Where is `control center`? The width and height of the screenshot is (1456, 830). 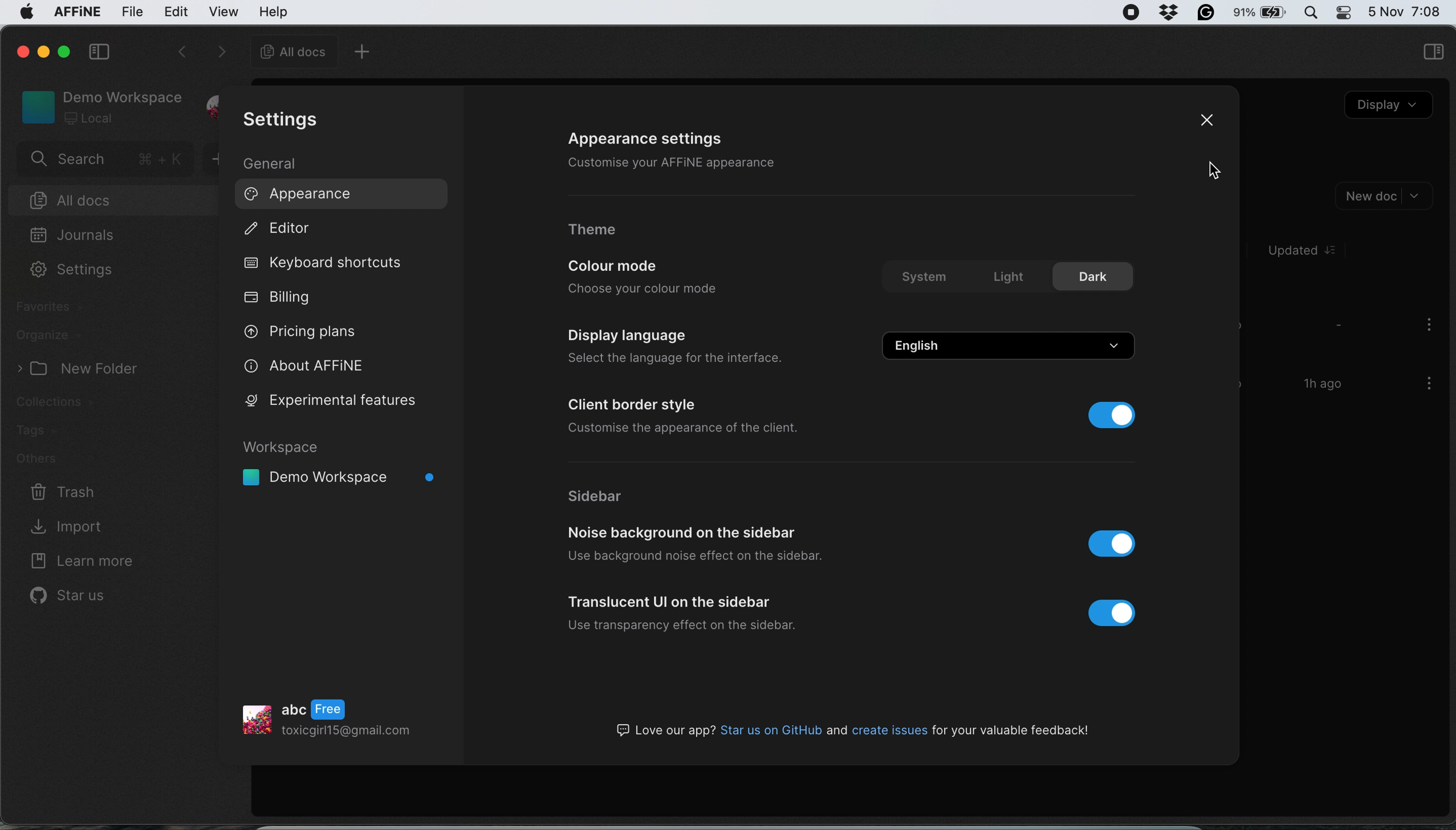 control center is located at coordinates (1348, 14).